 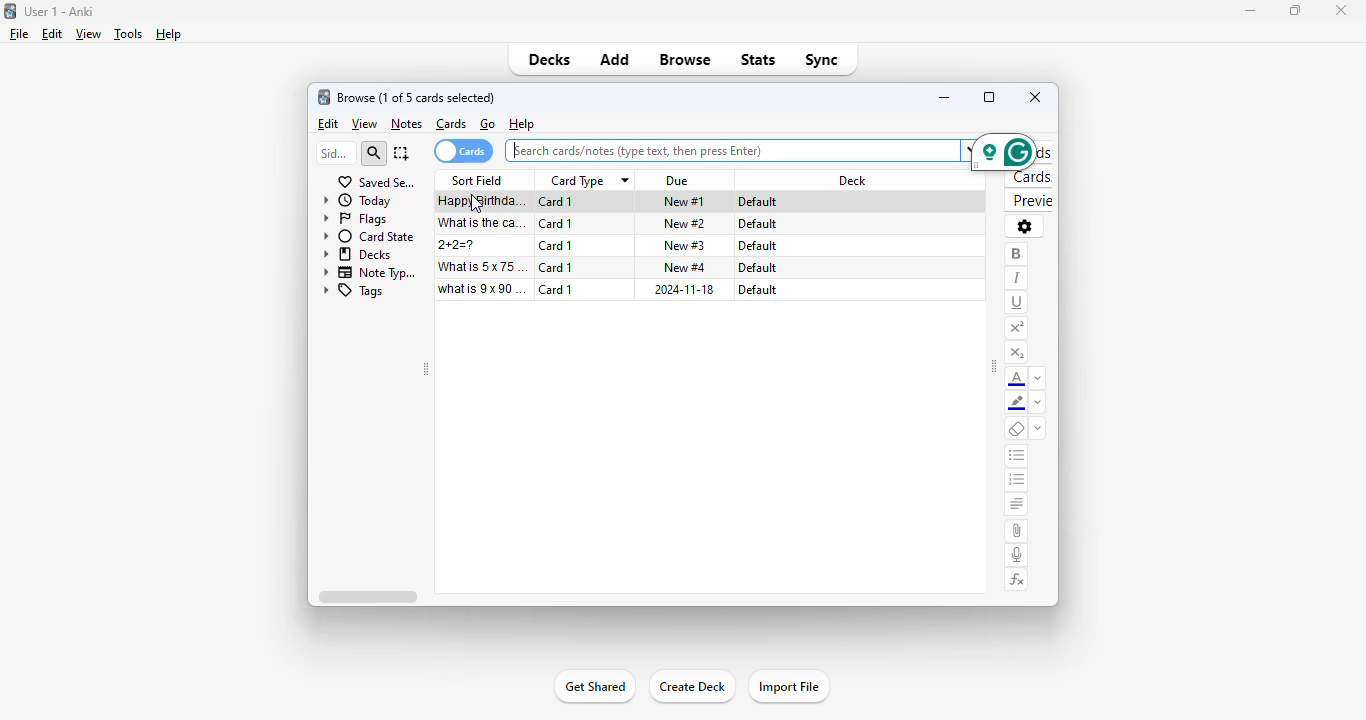 What do you see at coordinates (89, 34) in the screenshot?
I see `view` at bounding box center [89, 34].